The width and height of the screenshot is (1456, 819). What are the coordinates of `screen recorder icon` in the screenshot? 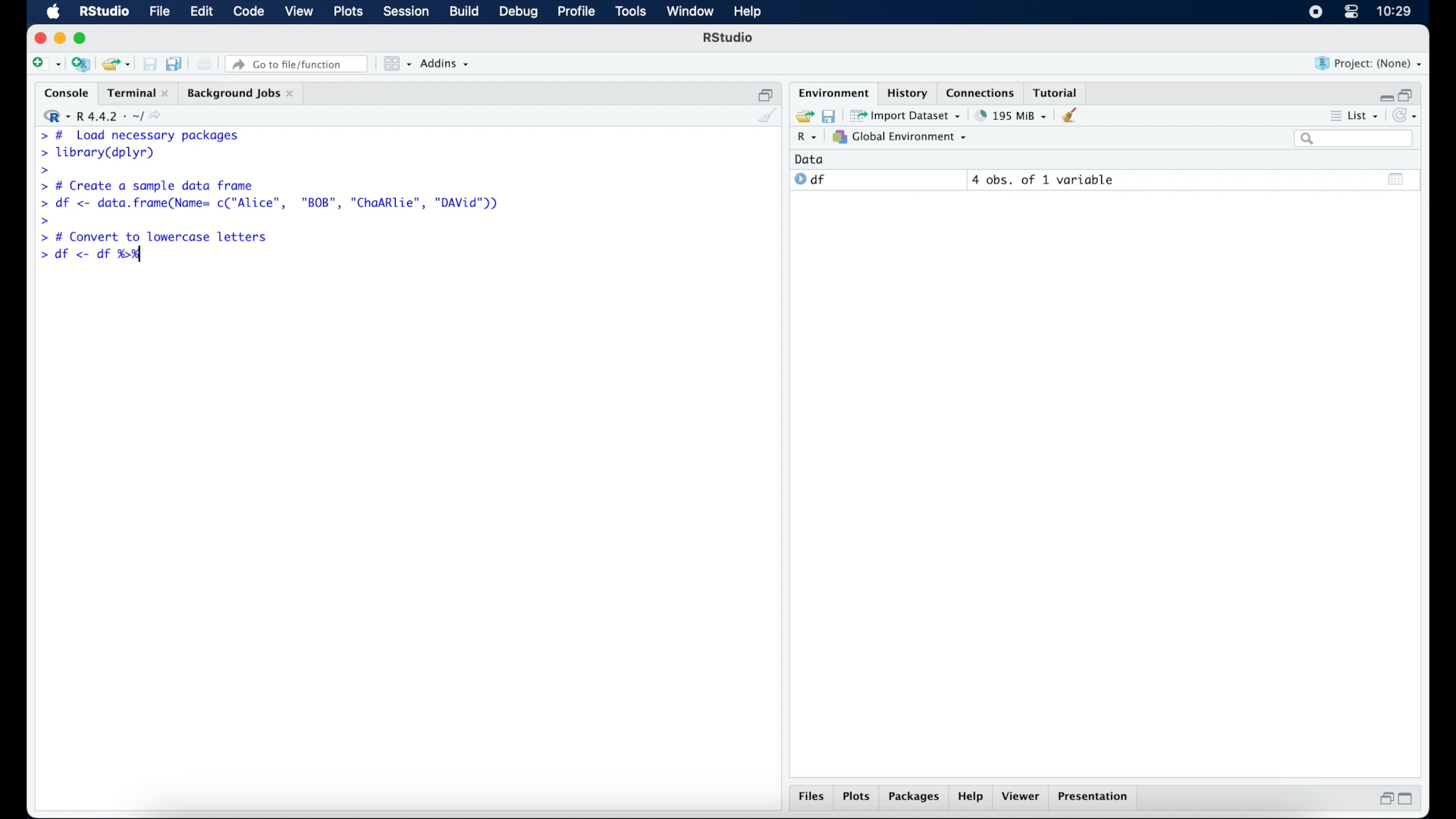 It's located at (1314, 12).